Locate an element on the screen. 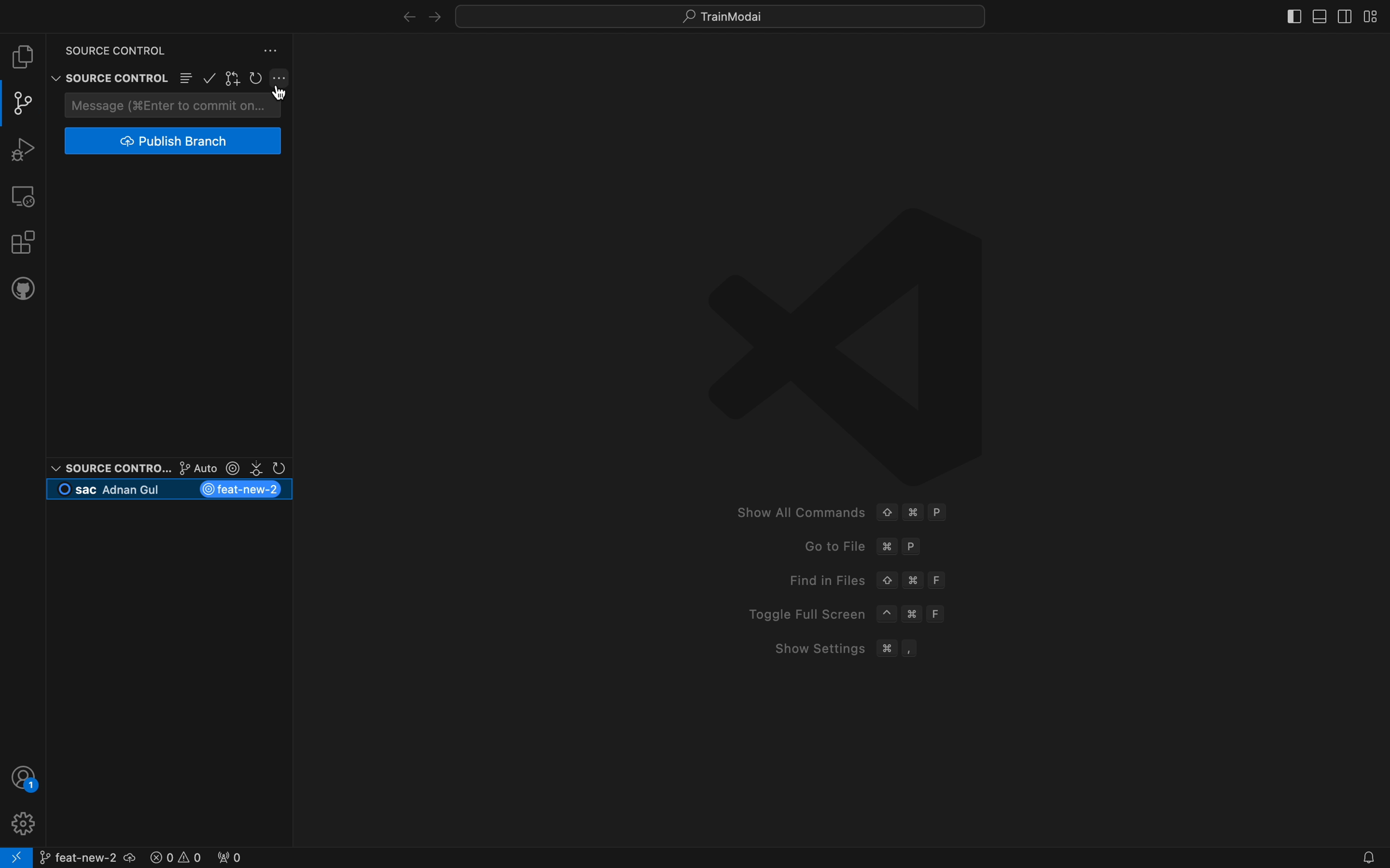 The height and width of the screenshot is (868, 1390). remote is located at coordinates (24, 195).